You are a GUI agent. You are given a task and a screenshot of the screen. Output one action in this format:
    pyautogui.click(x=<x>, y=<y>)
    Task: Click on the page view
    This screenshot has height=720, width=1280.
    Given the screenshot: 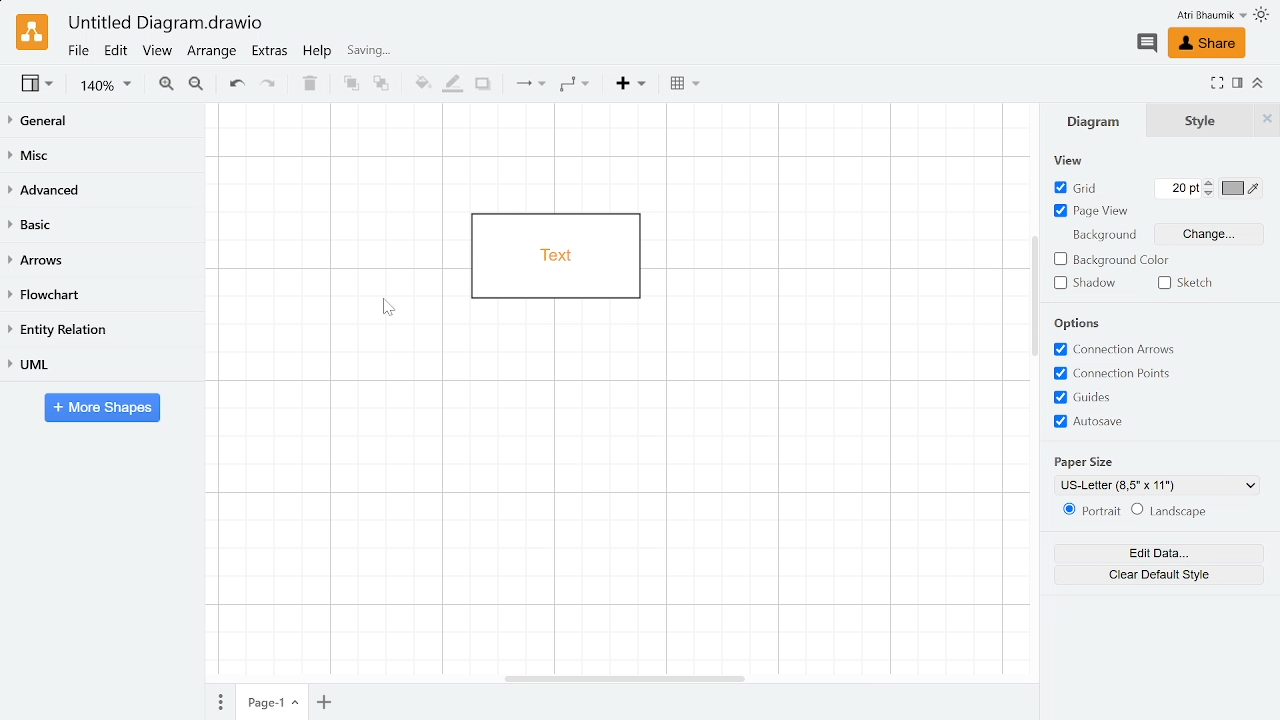 What is the action you would take?
    pyautogui.click(x=1092, y=213)
    